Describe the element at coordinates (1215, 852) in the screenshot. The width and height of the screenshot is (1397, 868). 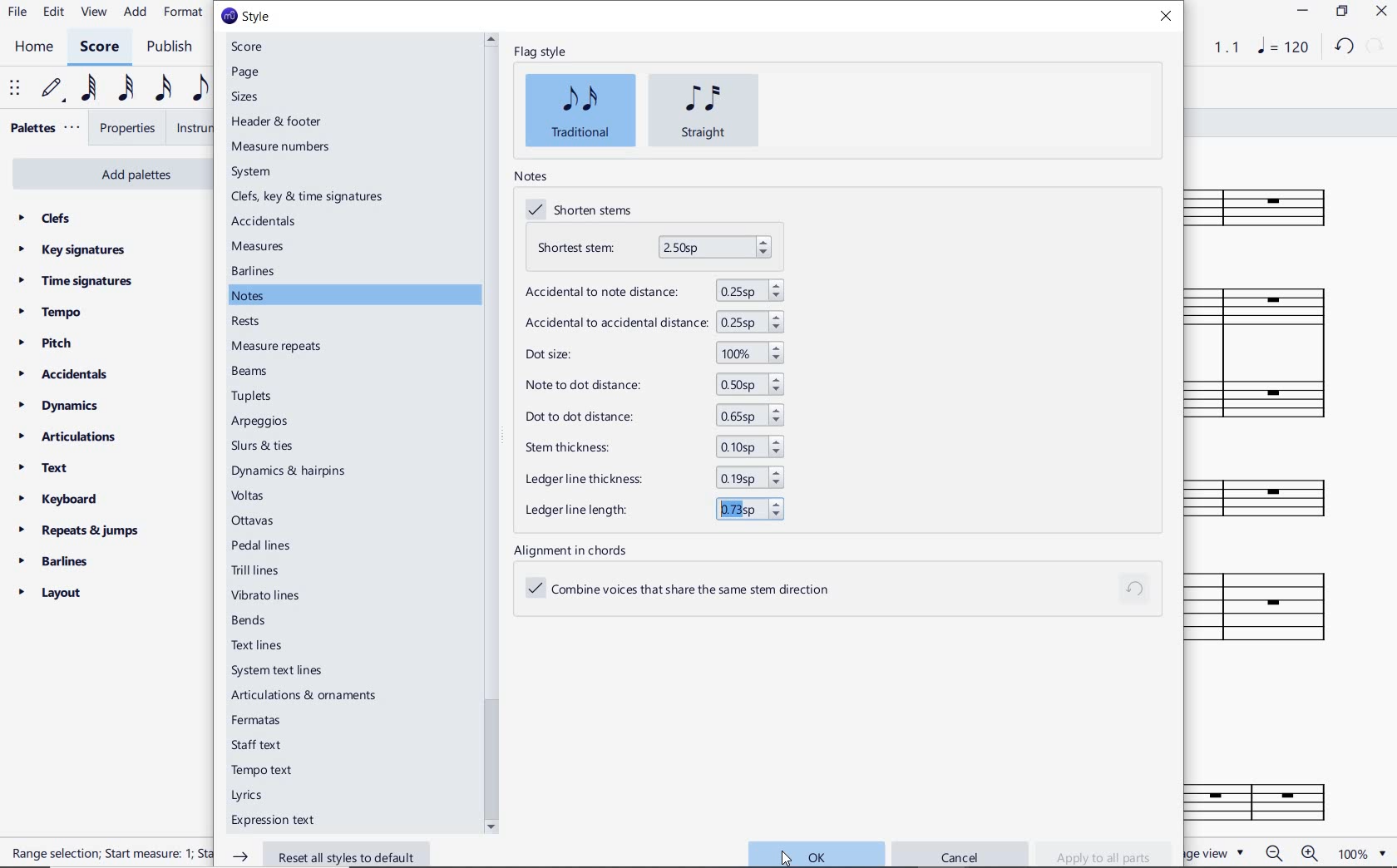
I see `page view` at that location.